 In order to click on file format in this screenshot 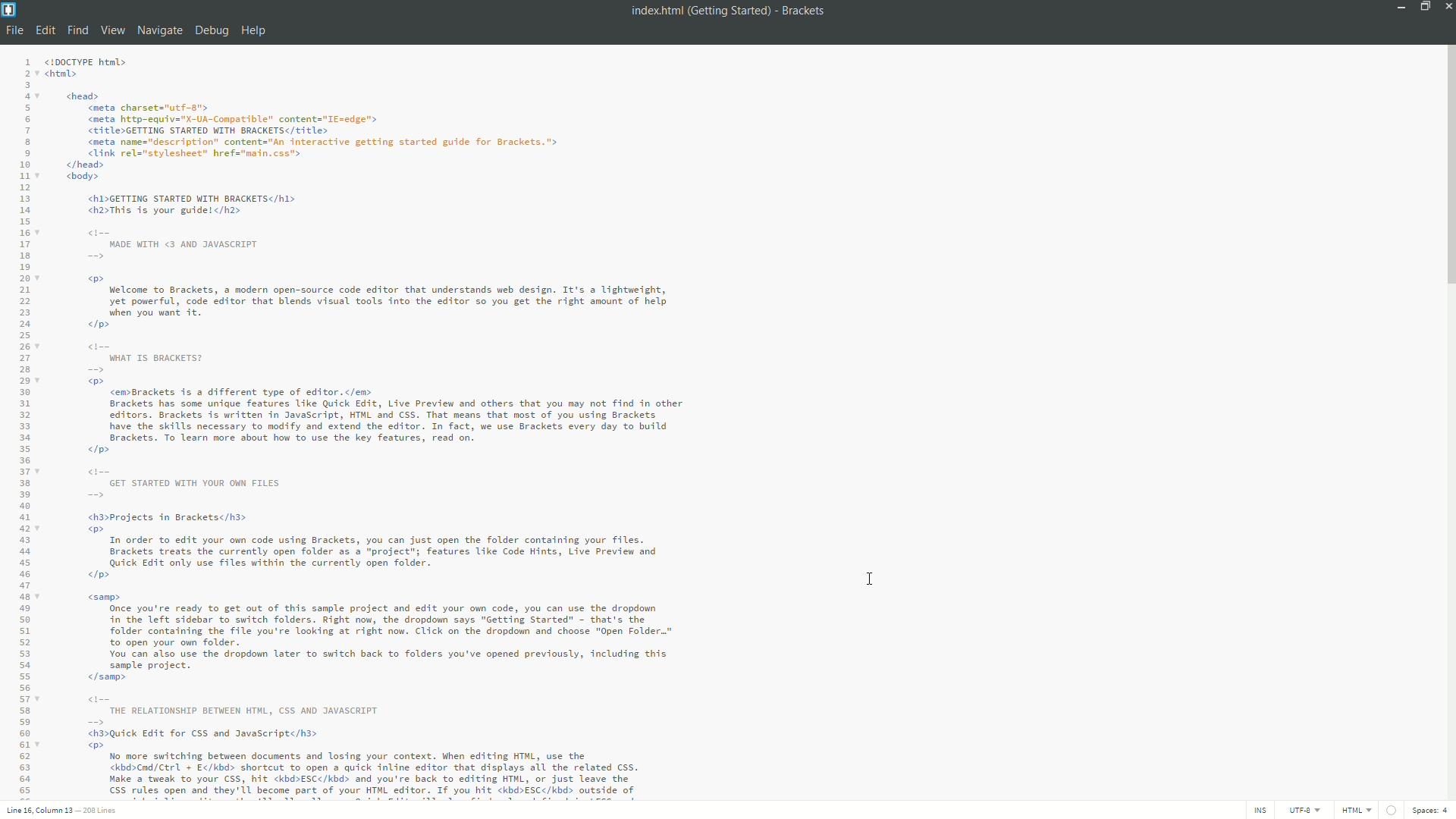, I will do `click(1358, 811)`.